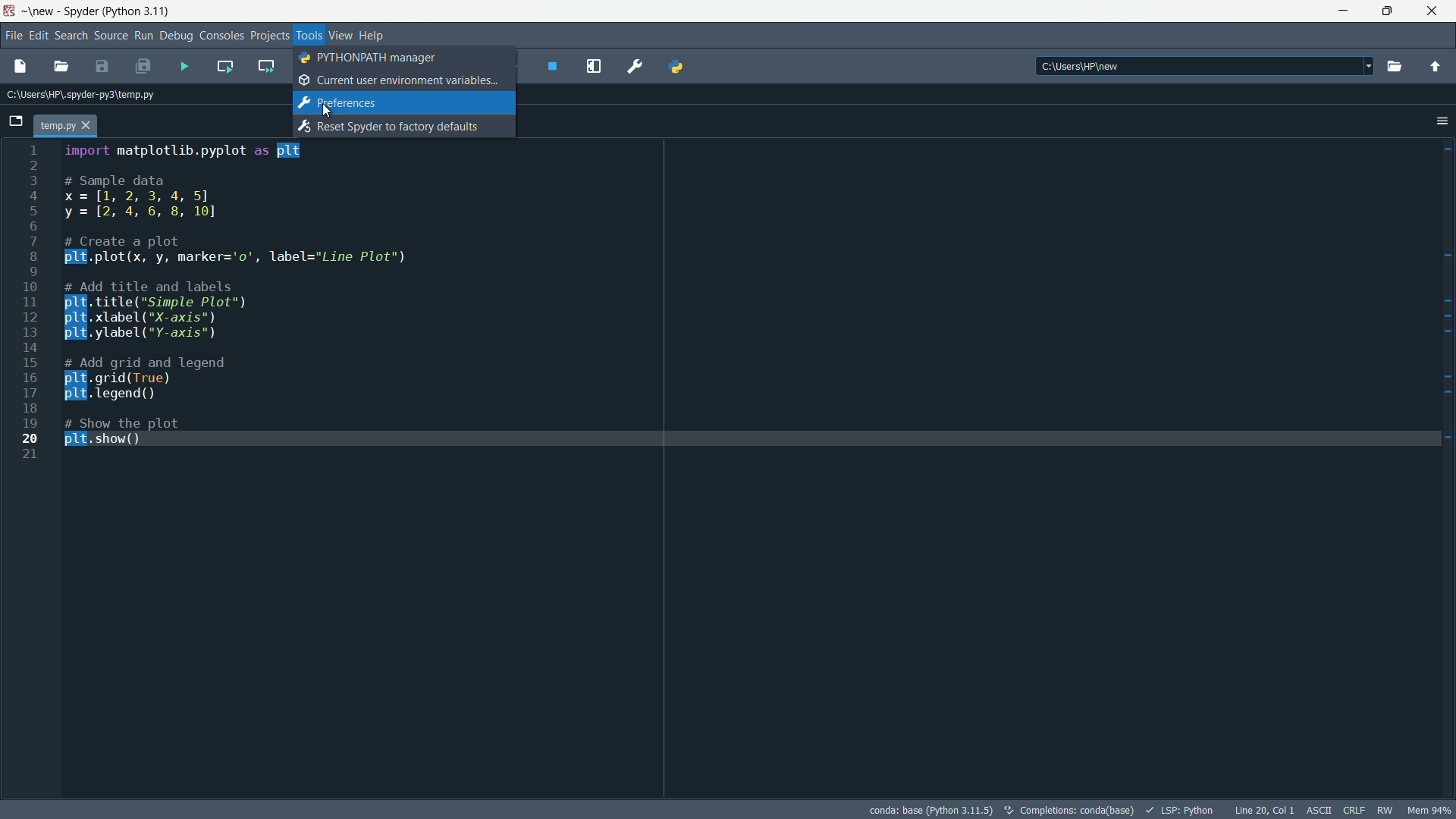  Describe the element at coordinates (1394, 66) in the screenshot. I see `browse directory` at that location.